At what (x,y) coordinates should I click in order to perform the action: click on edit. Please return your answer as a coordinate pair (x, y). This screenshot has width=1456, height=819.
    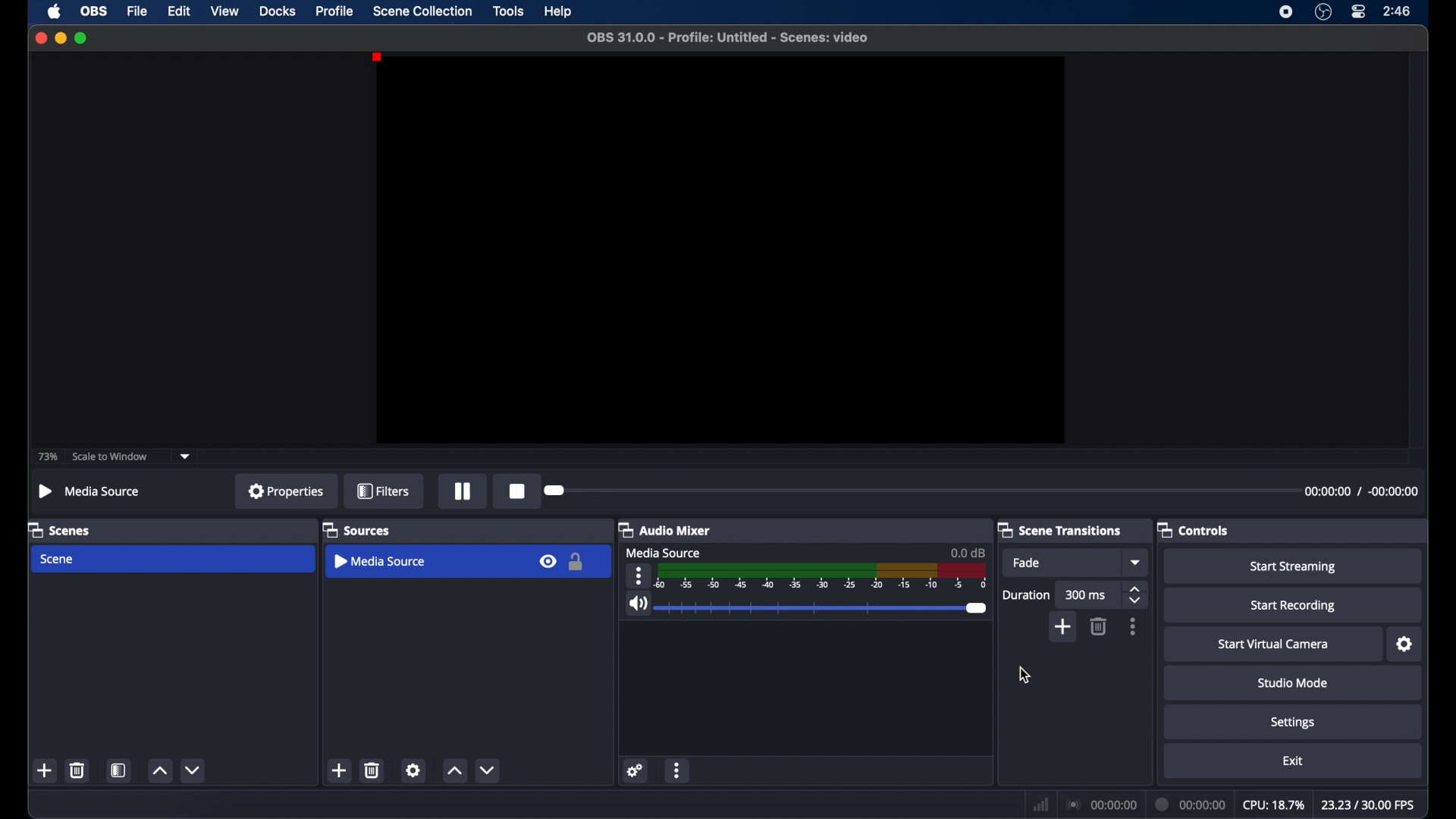
    Looking at the image, I should click on (179, 11).